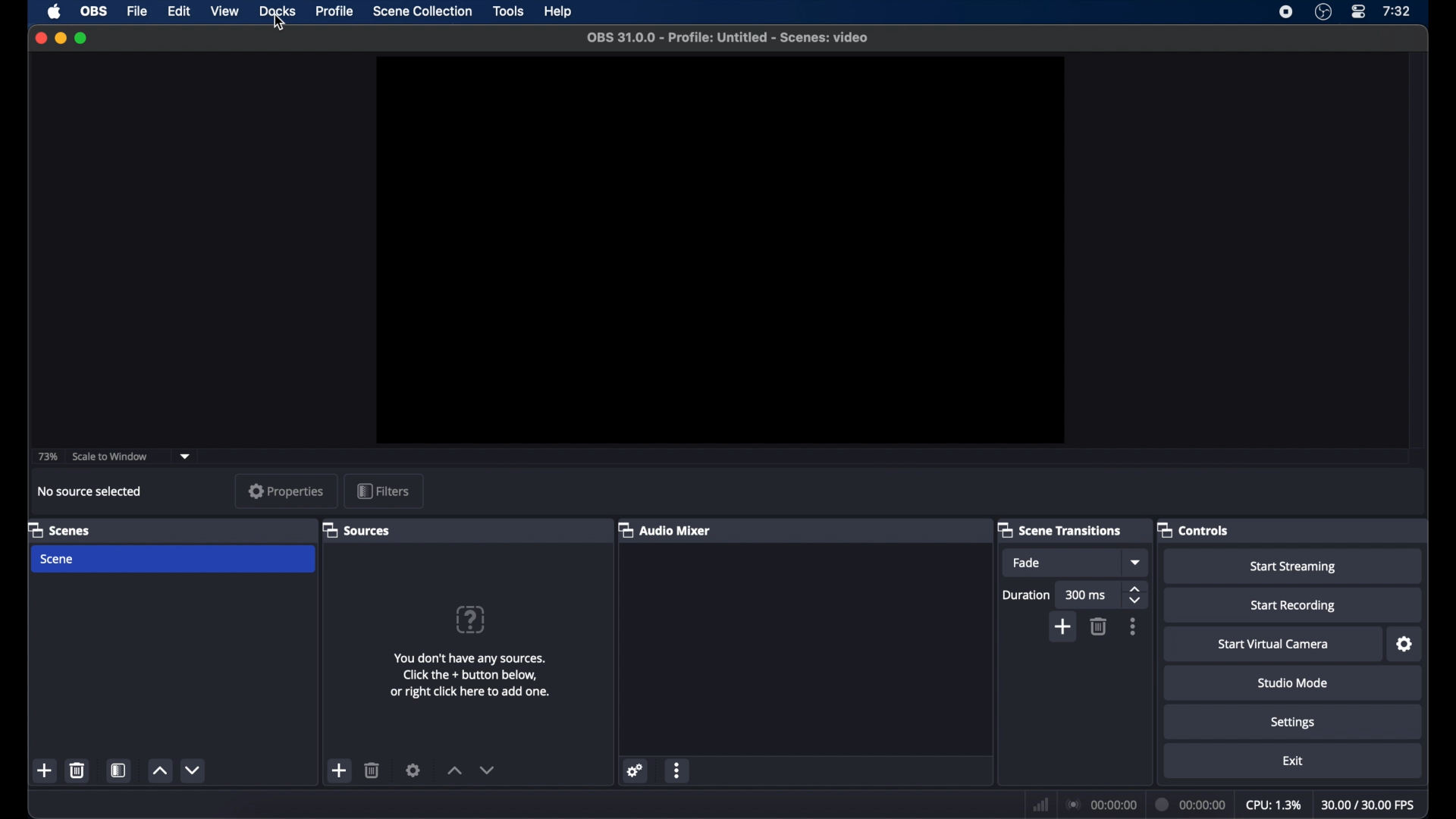 The height and width of the screenshot is (819, 1456). Describe the element at coordinates (110, 456) in the screenshot. I see `scale to window` at that location.